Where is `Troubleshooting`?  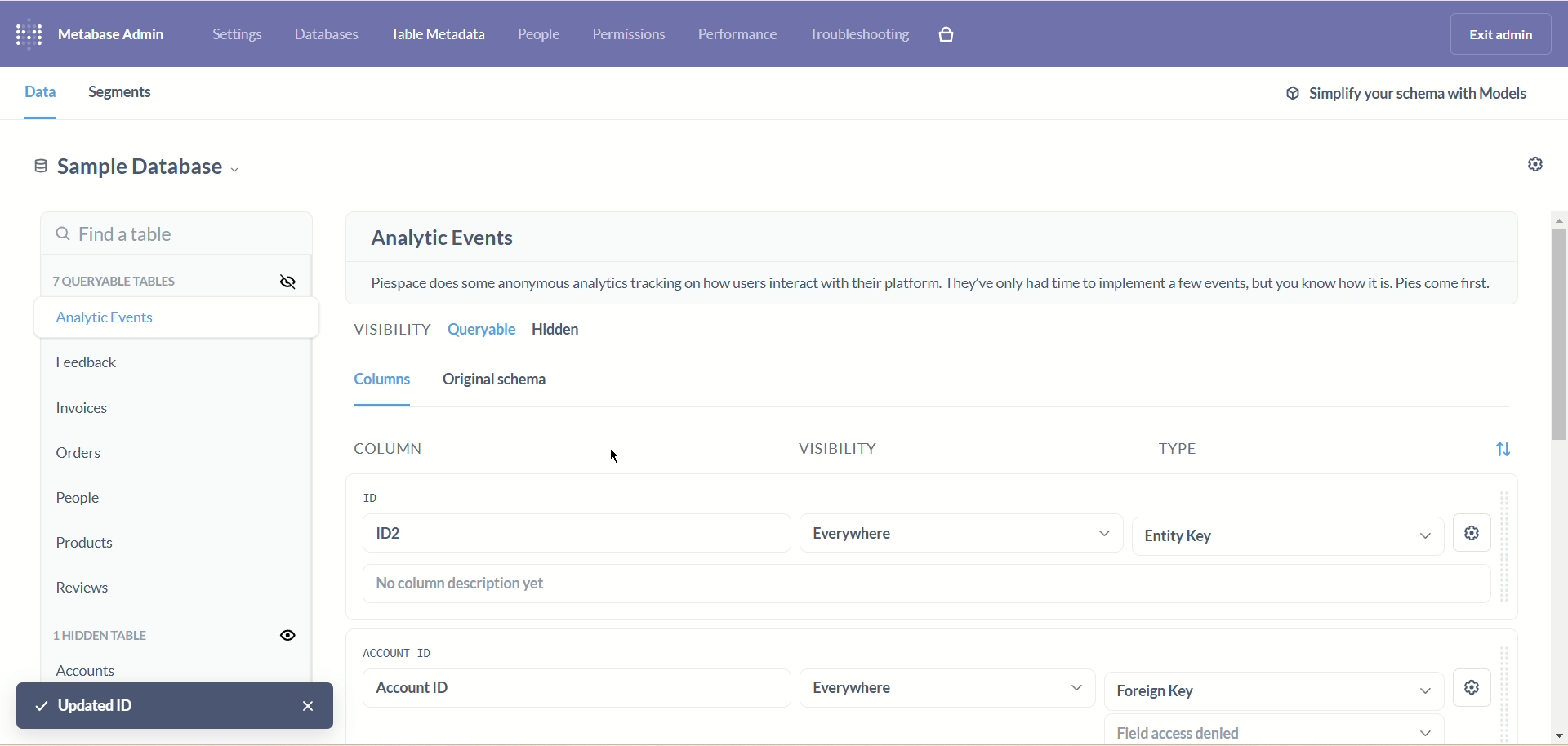
Troubleshooting is located at coordinates (863, 36).